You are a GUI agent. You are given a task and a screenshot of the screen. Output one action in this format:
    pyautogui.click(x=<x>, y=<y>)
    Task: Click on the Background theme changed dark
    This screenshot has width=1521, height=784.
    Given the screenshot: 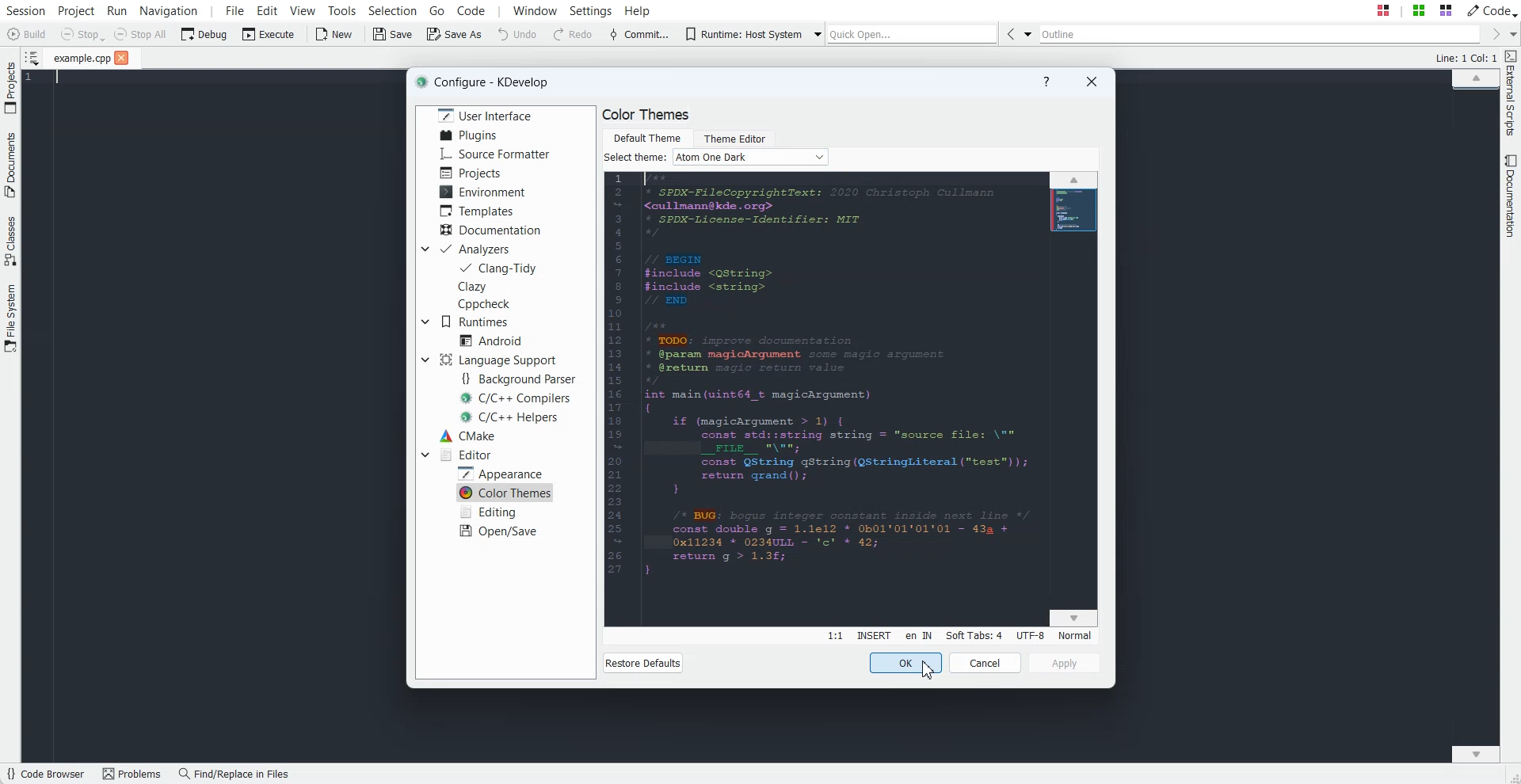 What is the action you would take?
    pyautogui.click(x=851, y=397)
    